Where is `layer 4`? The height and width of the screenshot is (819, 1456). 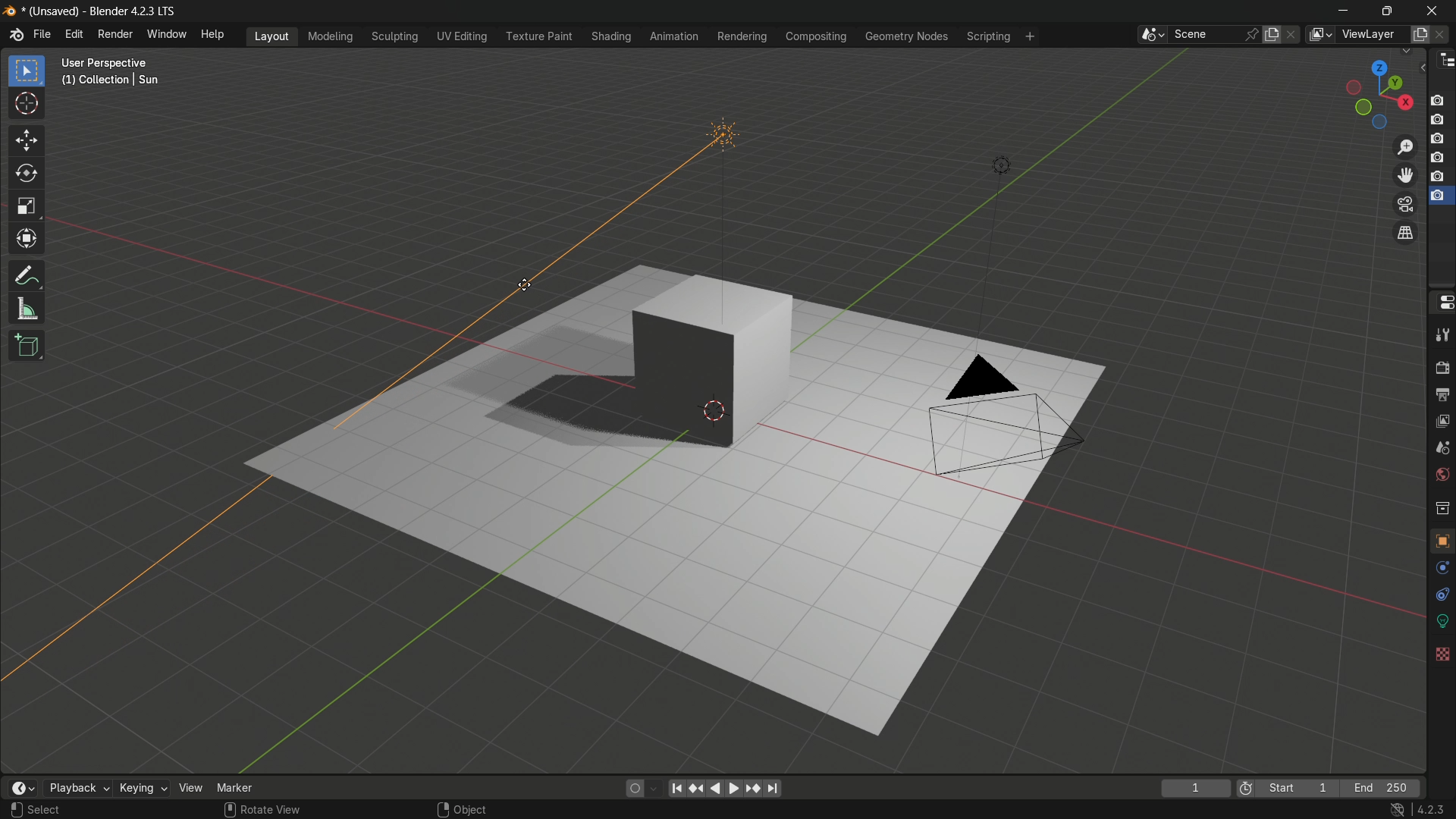 layer 4 is located at coordinates (1437, 157).